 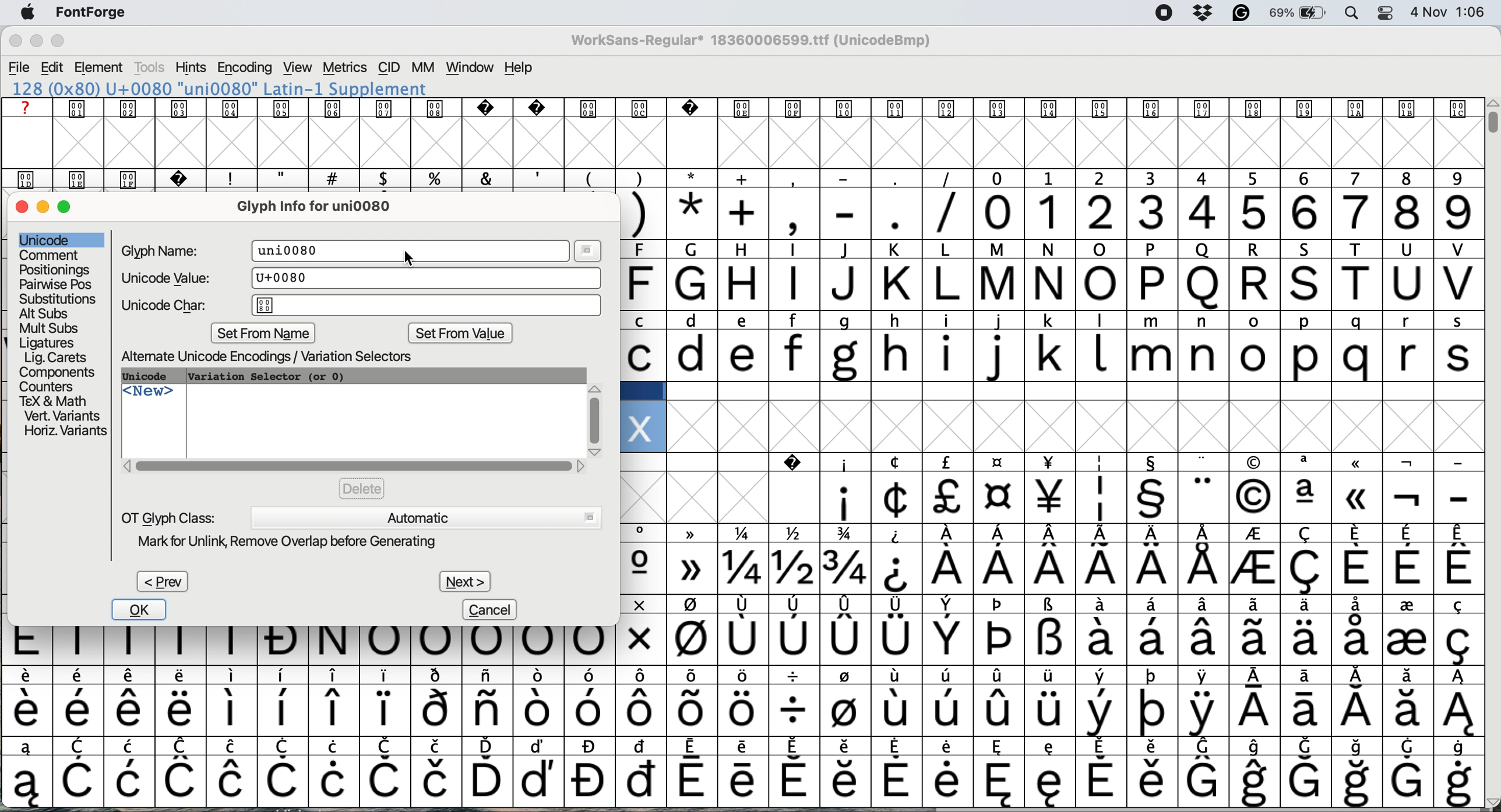 What do you see at coordinates (57, 284) in the screenshot?
I see `pairwise pose` at bounding box center [57, 284].